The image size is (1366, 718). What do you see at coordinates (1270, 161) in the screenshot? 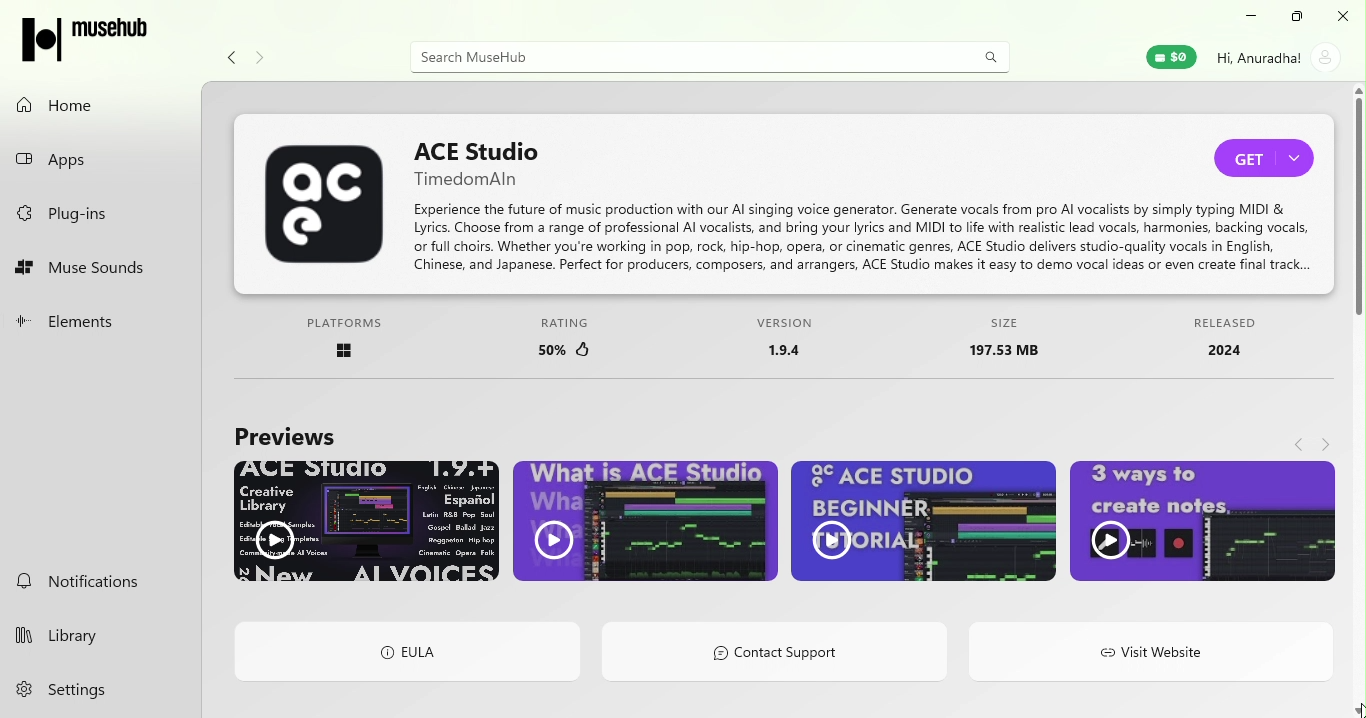
I see `Purchase ACE studio` at bounding box center [1270, 161].